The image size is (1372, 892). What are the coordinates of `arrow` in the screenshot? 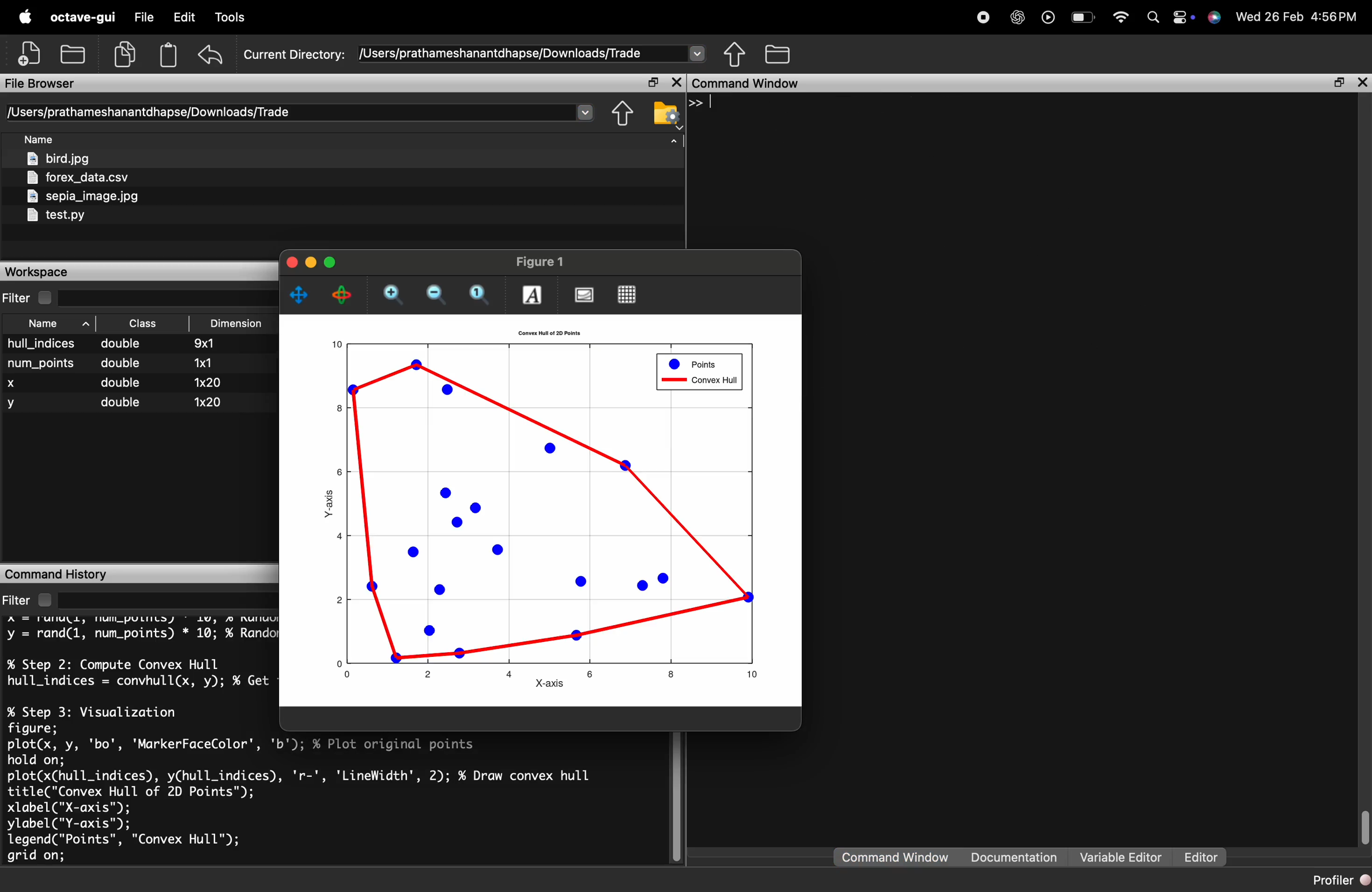 It's located at (677, 141).